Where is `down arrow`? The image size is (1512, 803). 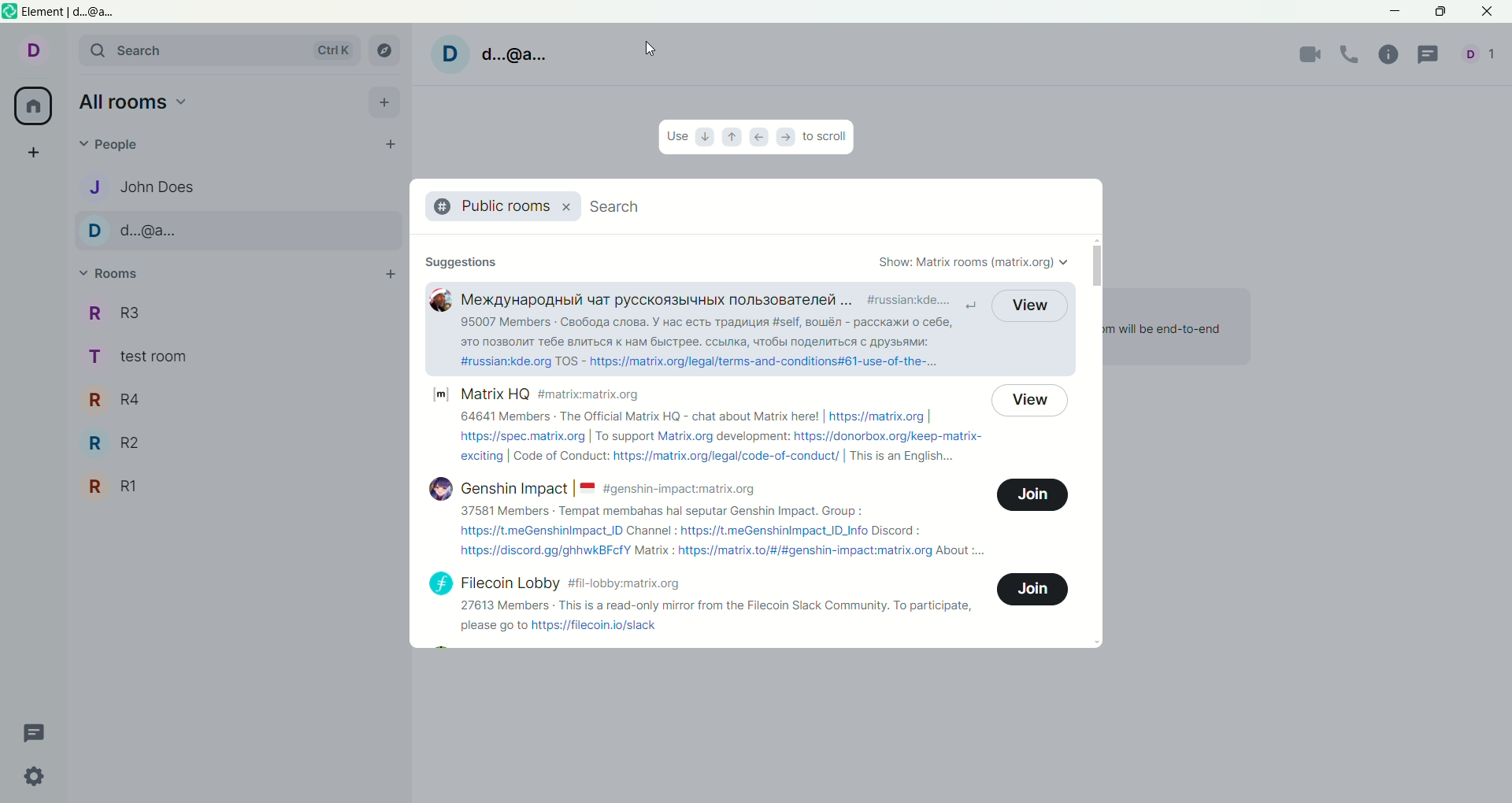 down arrow is located at coordinates (702, 137).